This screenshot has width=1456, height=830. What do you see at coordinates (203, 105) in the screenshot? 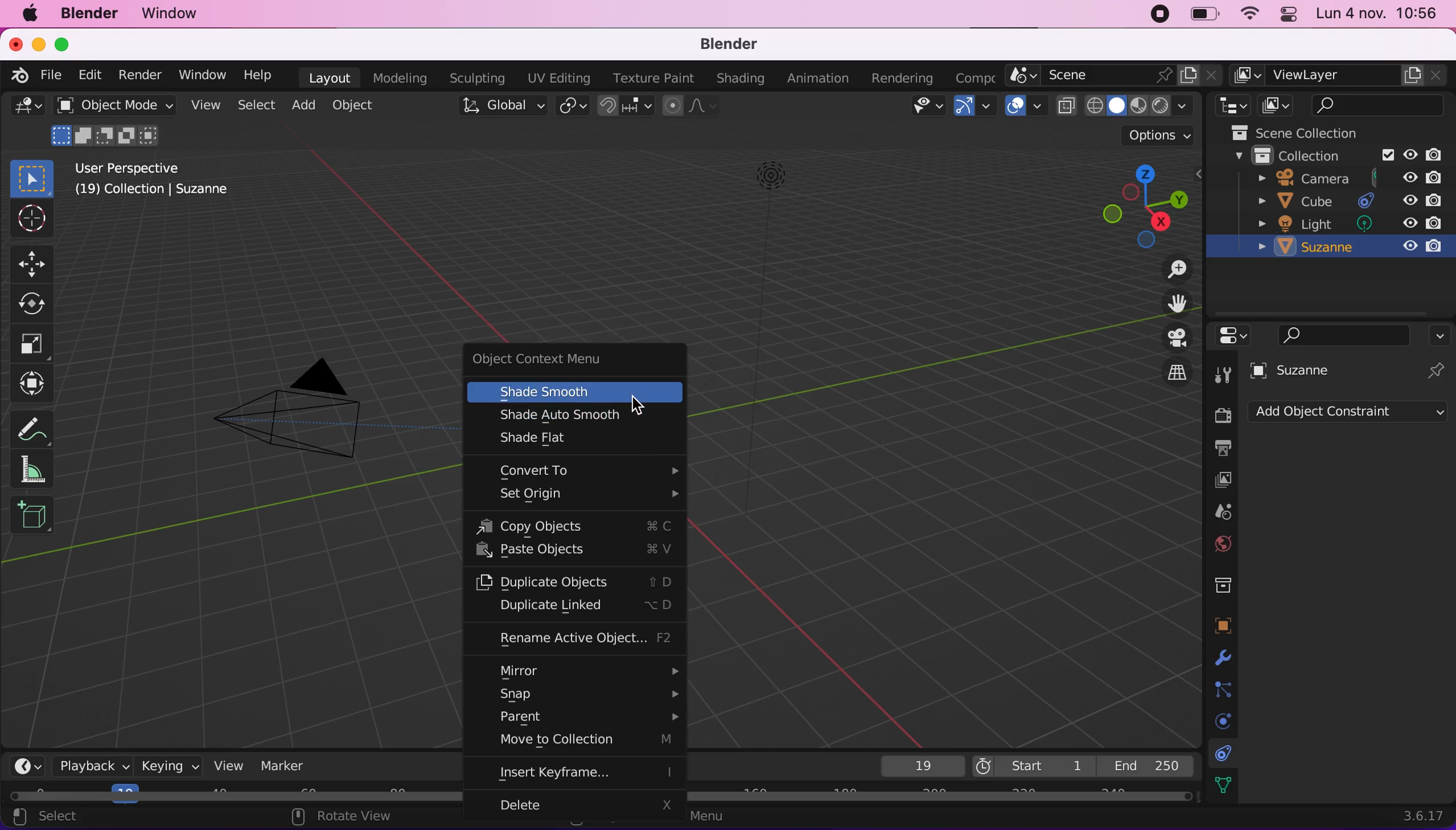
I see `view` at bounding box center [203, 105].